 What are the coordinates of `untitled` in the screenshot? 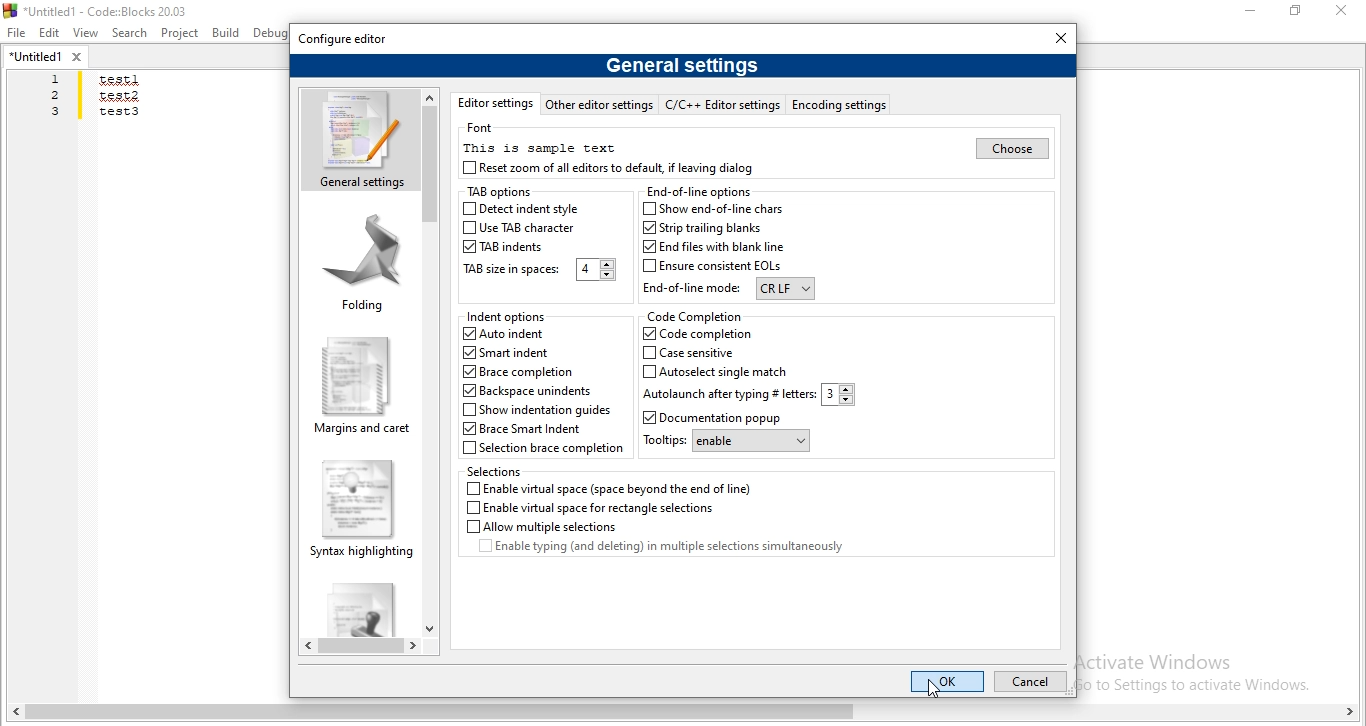 It's located at (46, 56).